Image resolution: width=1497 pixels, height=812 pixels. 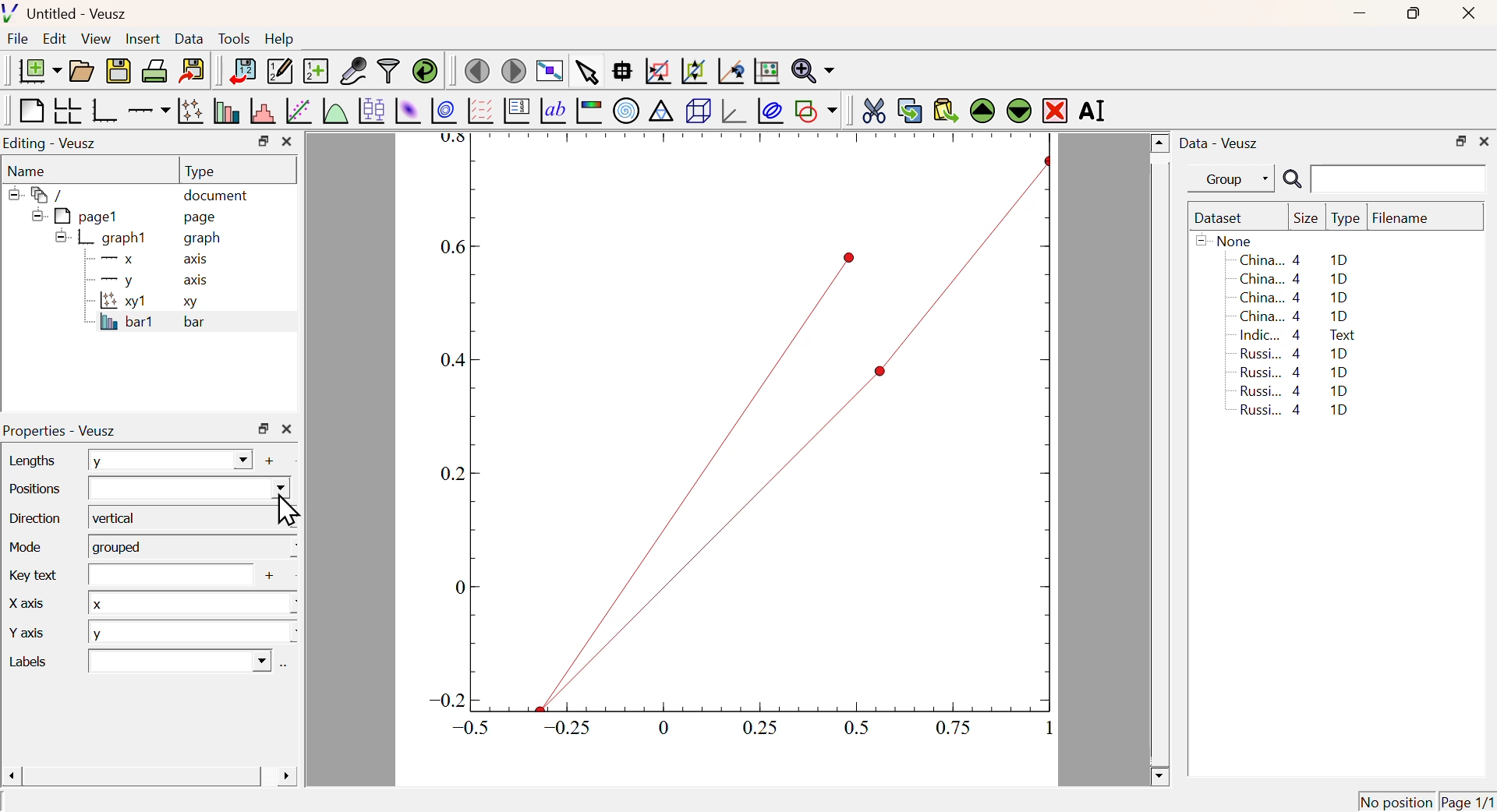 What do you see at coordinates (1018, 110) in the screenshot?
I see `Move Down` at bounding box center [1018, 110].